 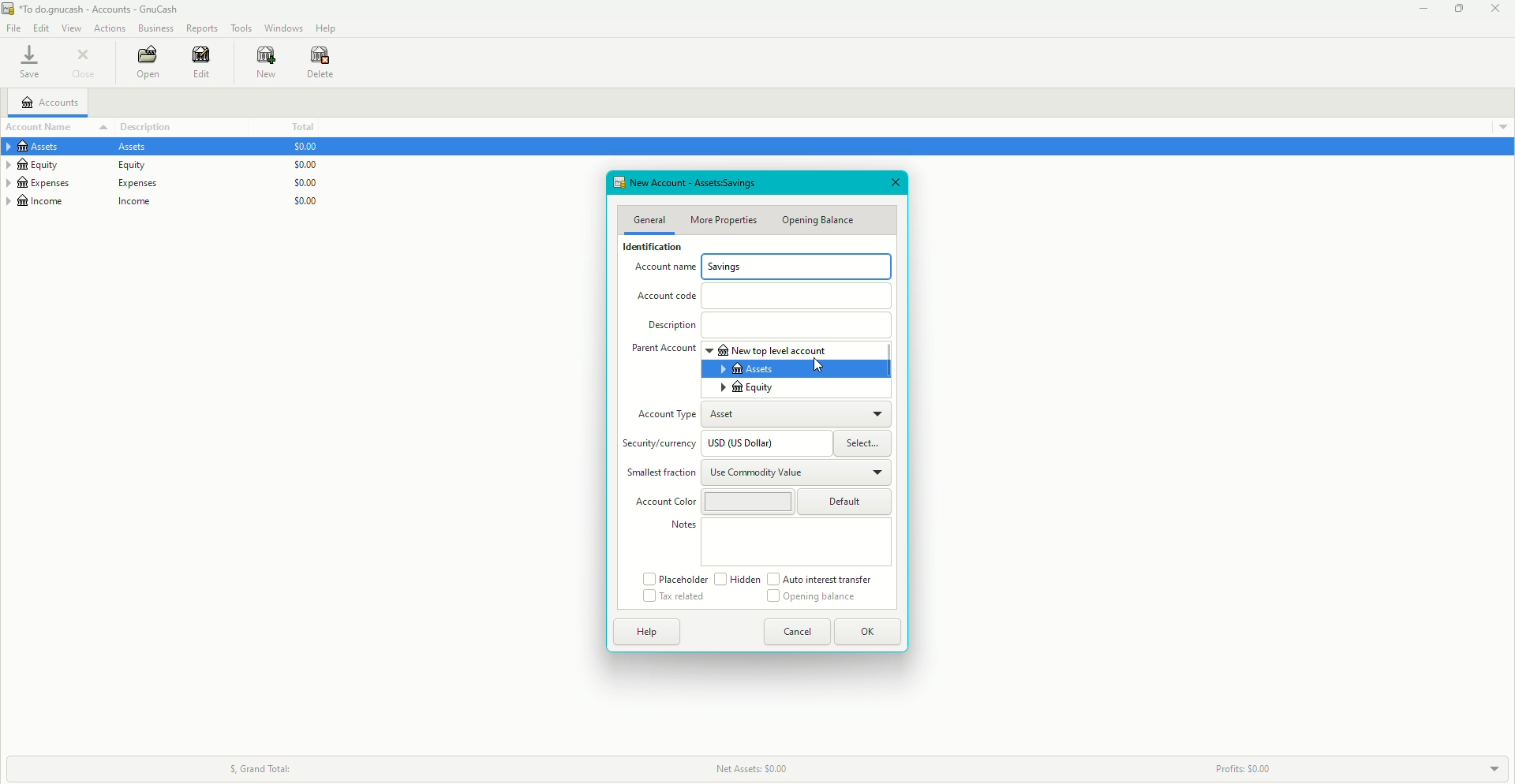 What do you see at coordinates (156, 125) in the screenshot?
I see `Description` at bounding box center [156, 125].